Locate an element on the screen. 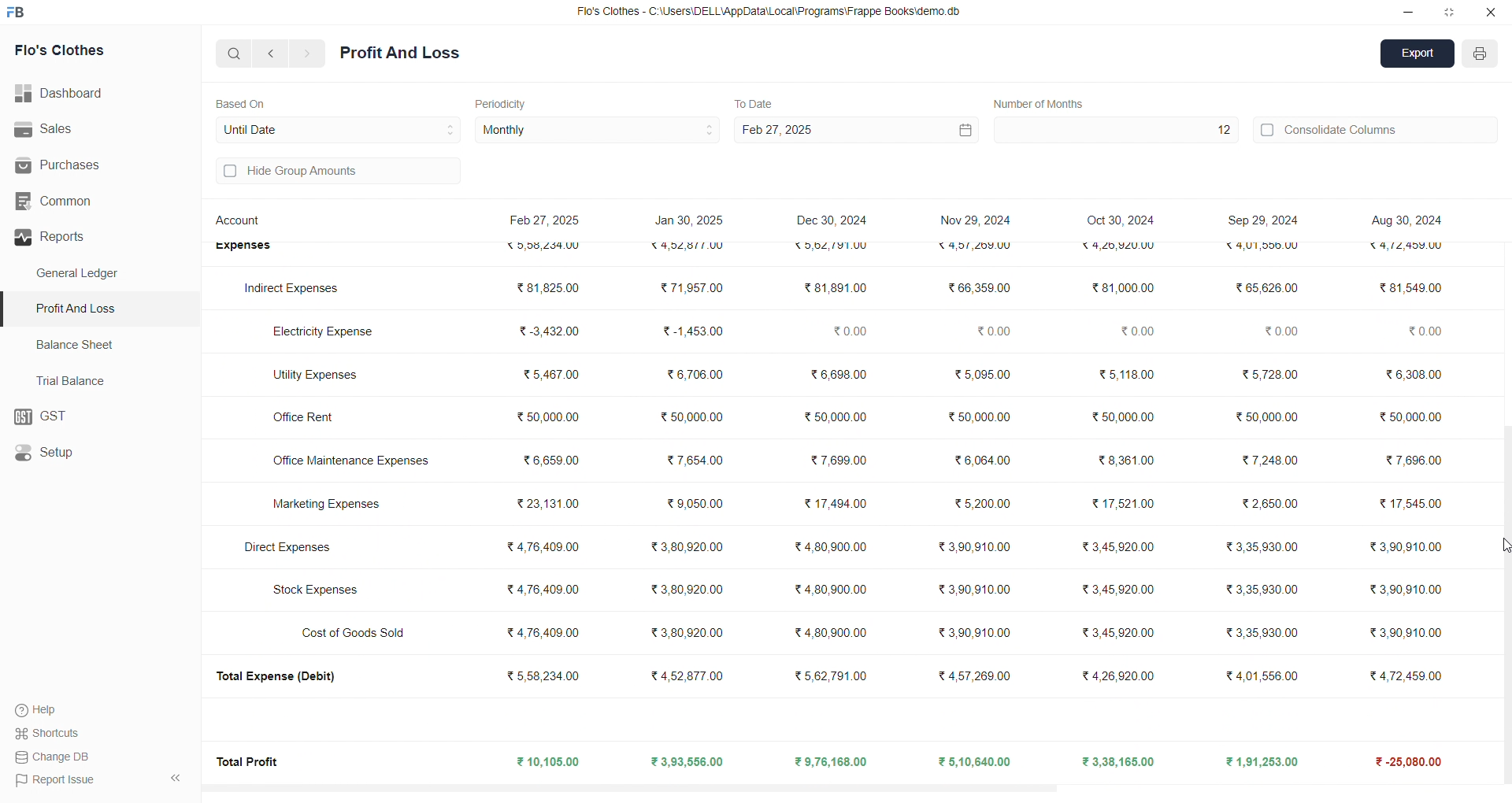 Image resolution: width=1512 pixels, height=803 pixels. Stock Expenses is located at coordinates (316, 590).